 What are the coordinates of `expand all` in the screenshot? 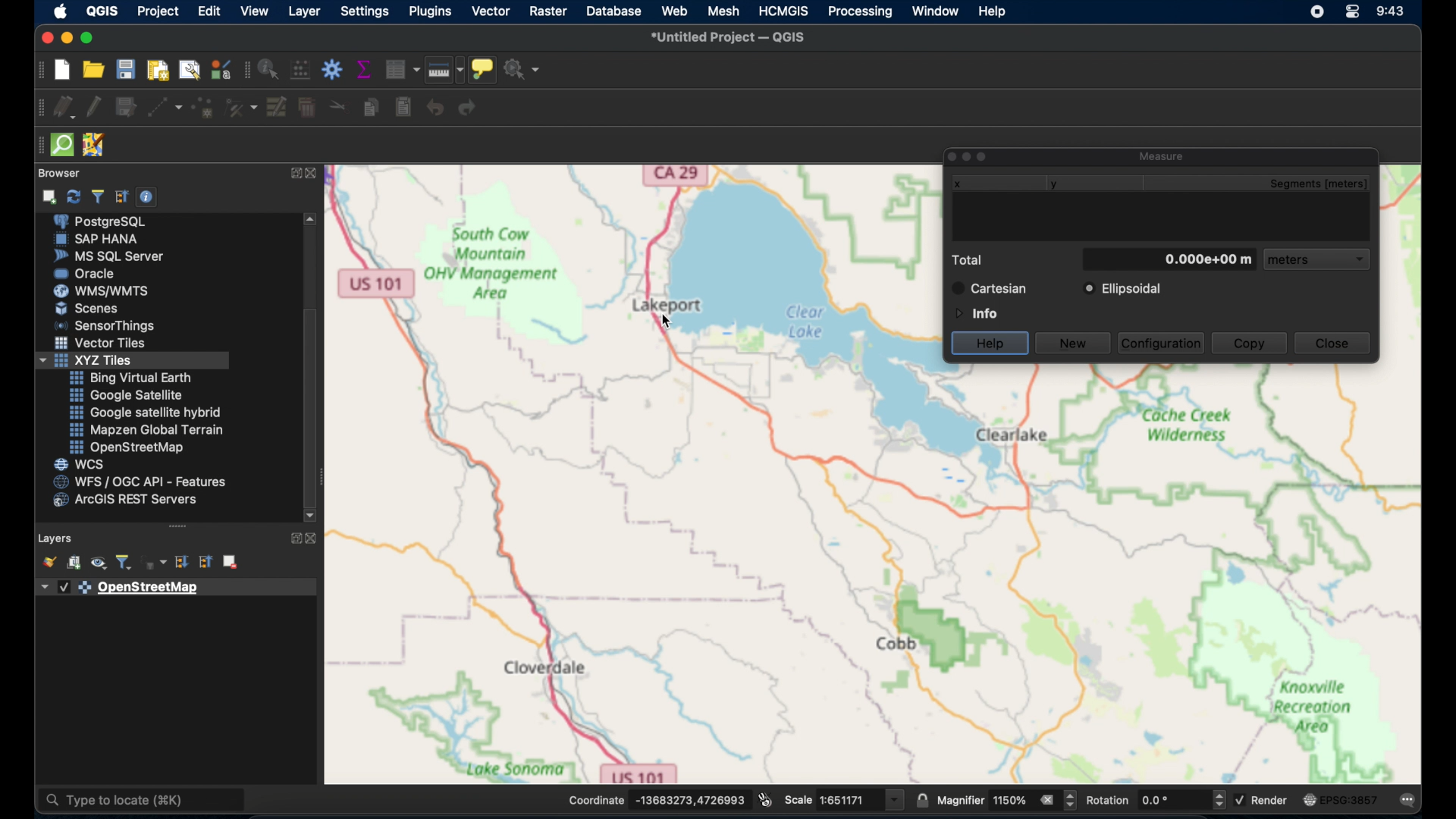 It's located at (184, 563).